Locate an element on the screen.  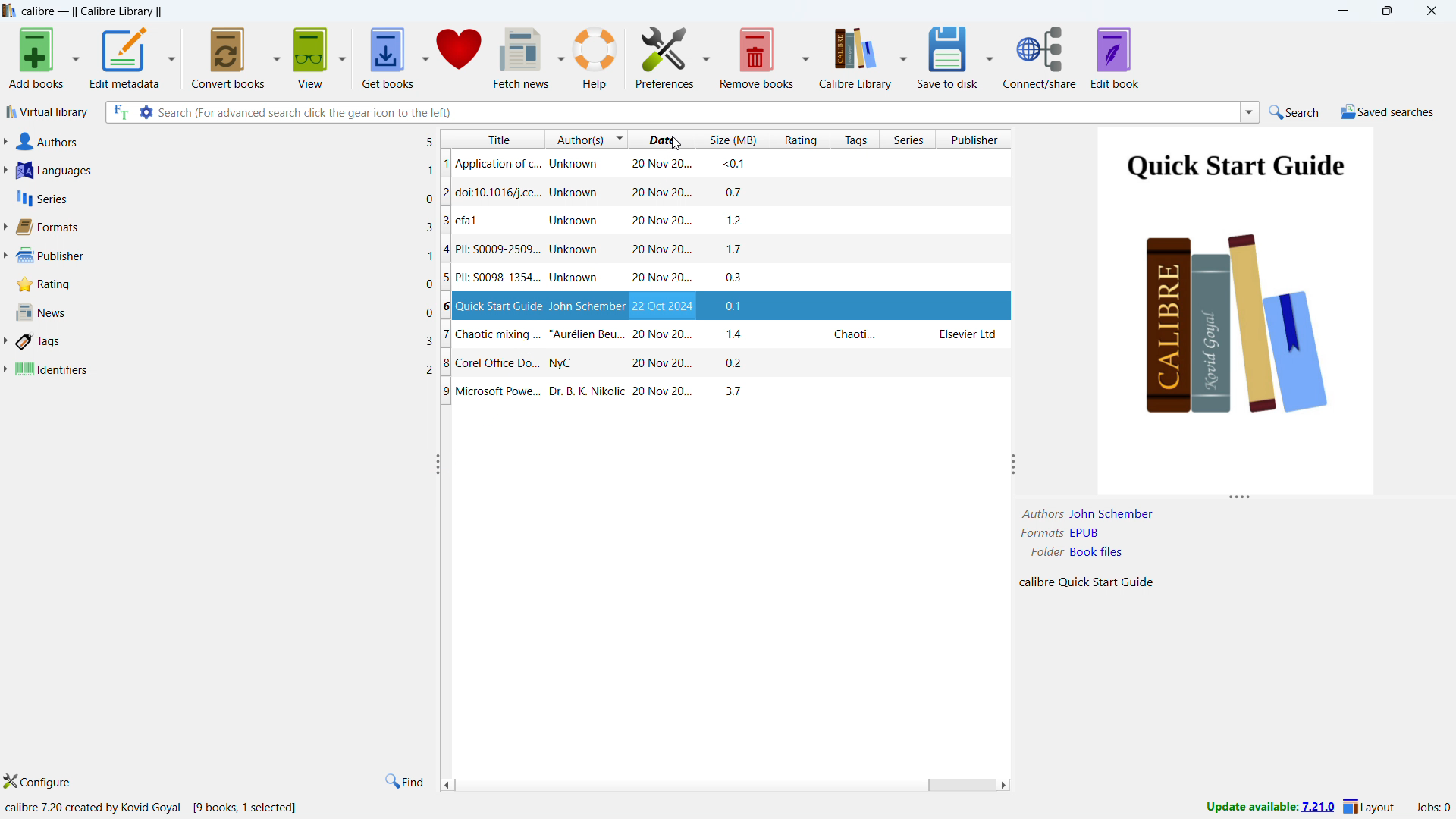
0.7 is located at coordinates (739, 193).